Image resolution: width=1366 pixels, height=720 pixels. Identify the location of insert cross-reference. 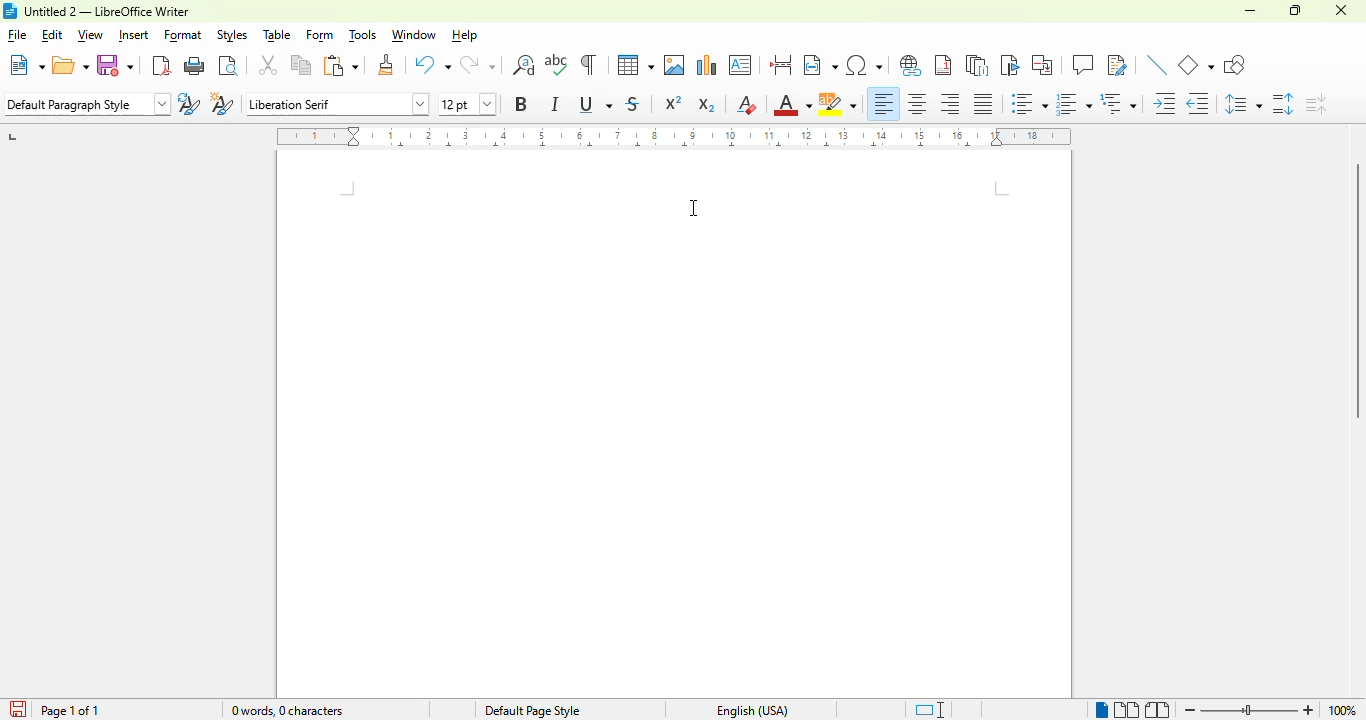
(1041, 65).